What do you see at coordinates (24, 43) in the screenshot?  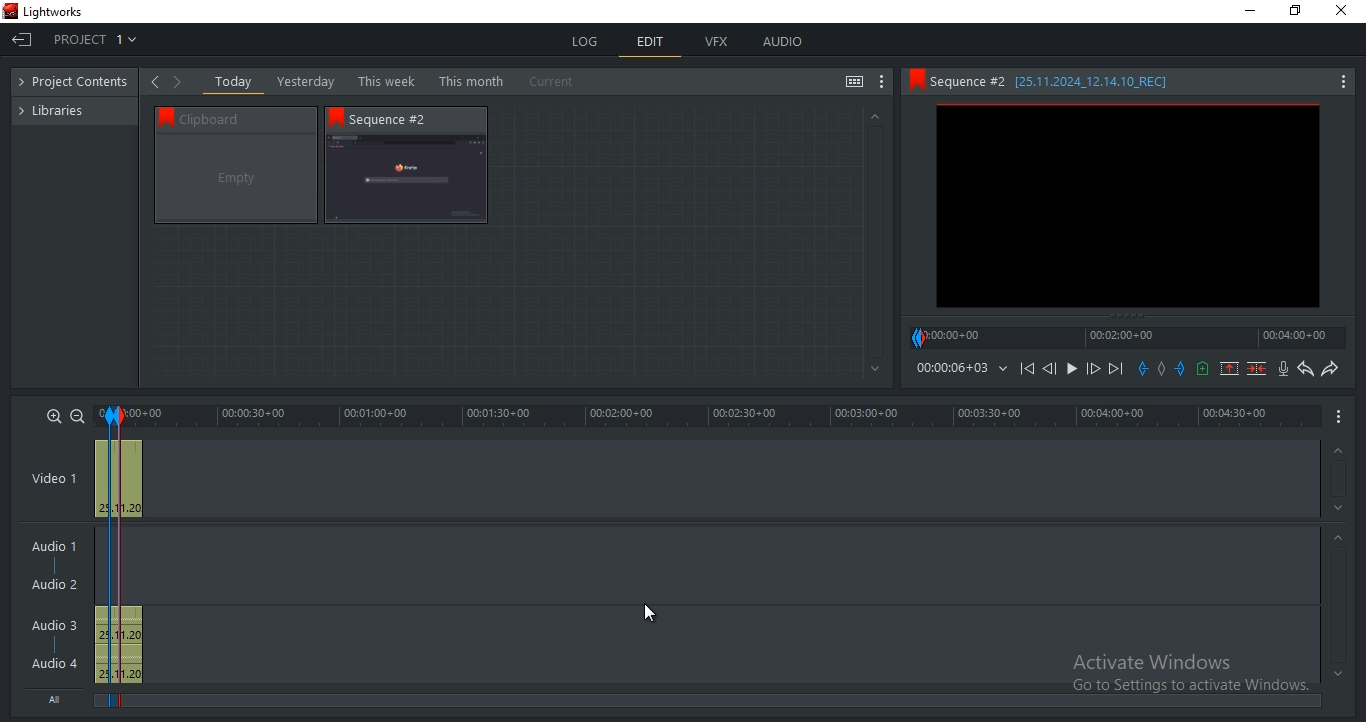 I see `Exit project` at bounding box center [24, 43].